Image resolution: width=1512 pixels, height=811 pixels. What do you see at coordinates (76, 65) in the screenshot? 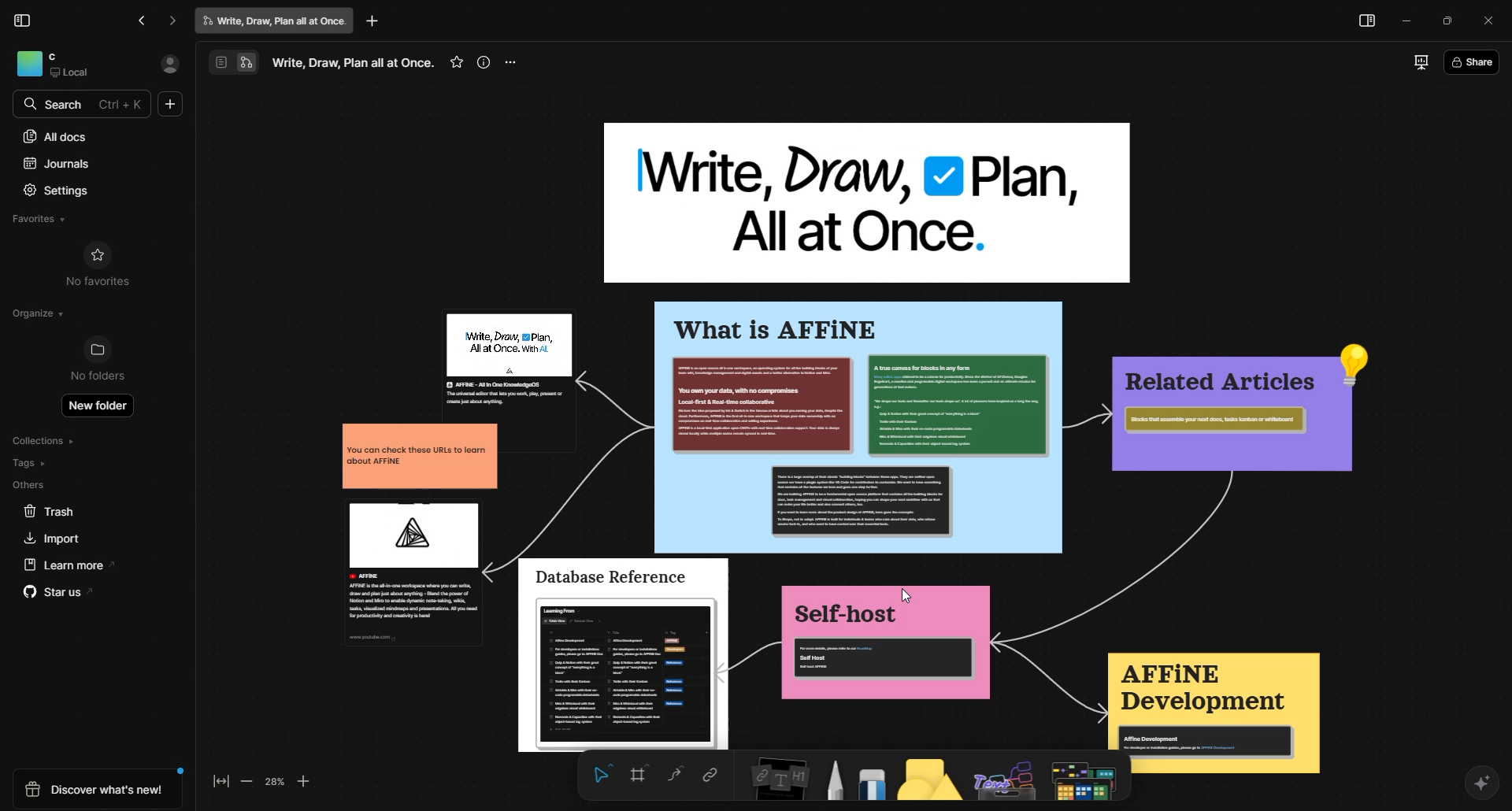
I see `local workspace` at bounding box center [76, 65].